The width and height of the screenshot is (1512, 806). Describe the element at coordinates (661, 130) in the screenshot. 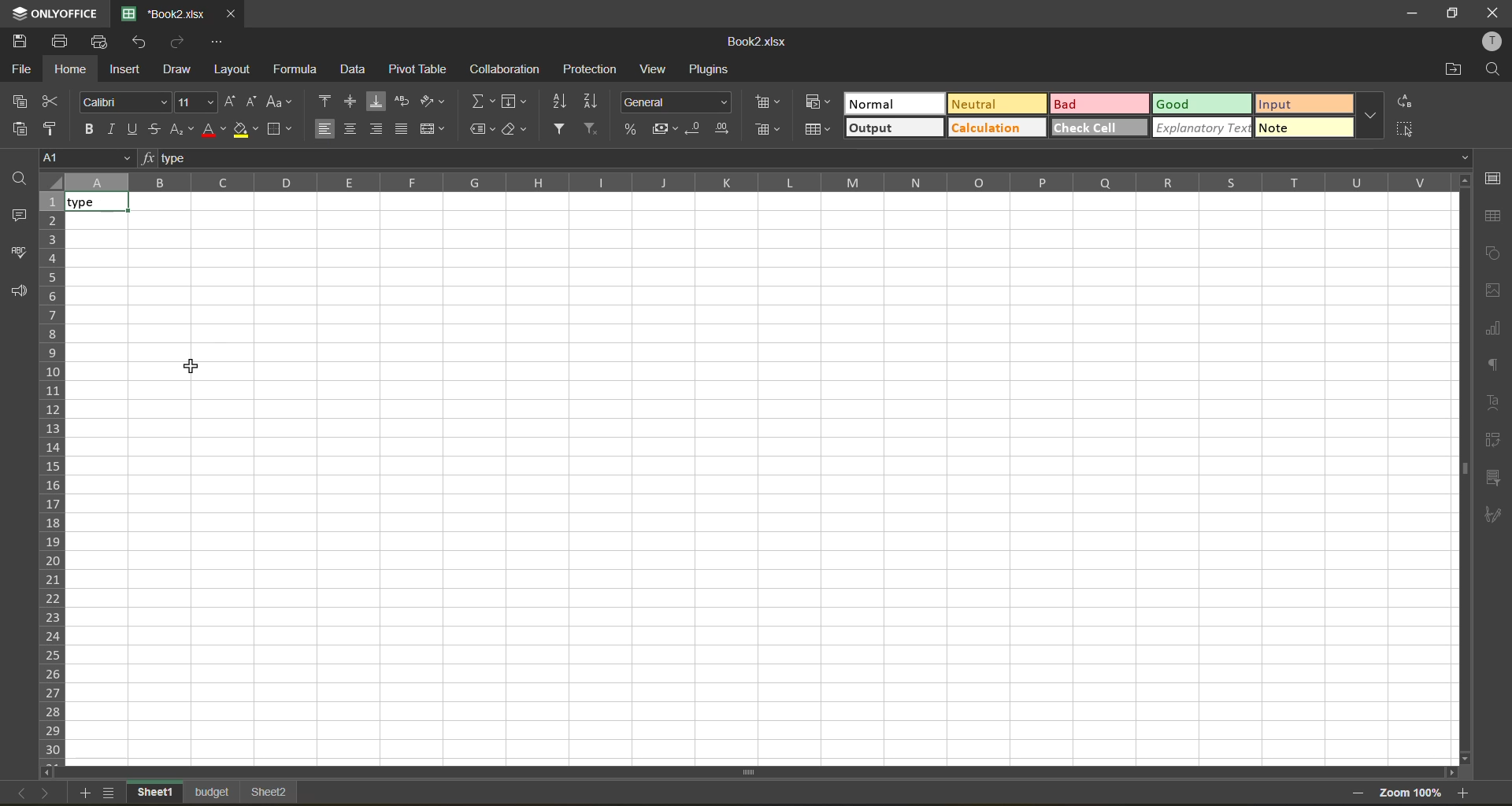

I see `accounting` at that location.